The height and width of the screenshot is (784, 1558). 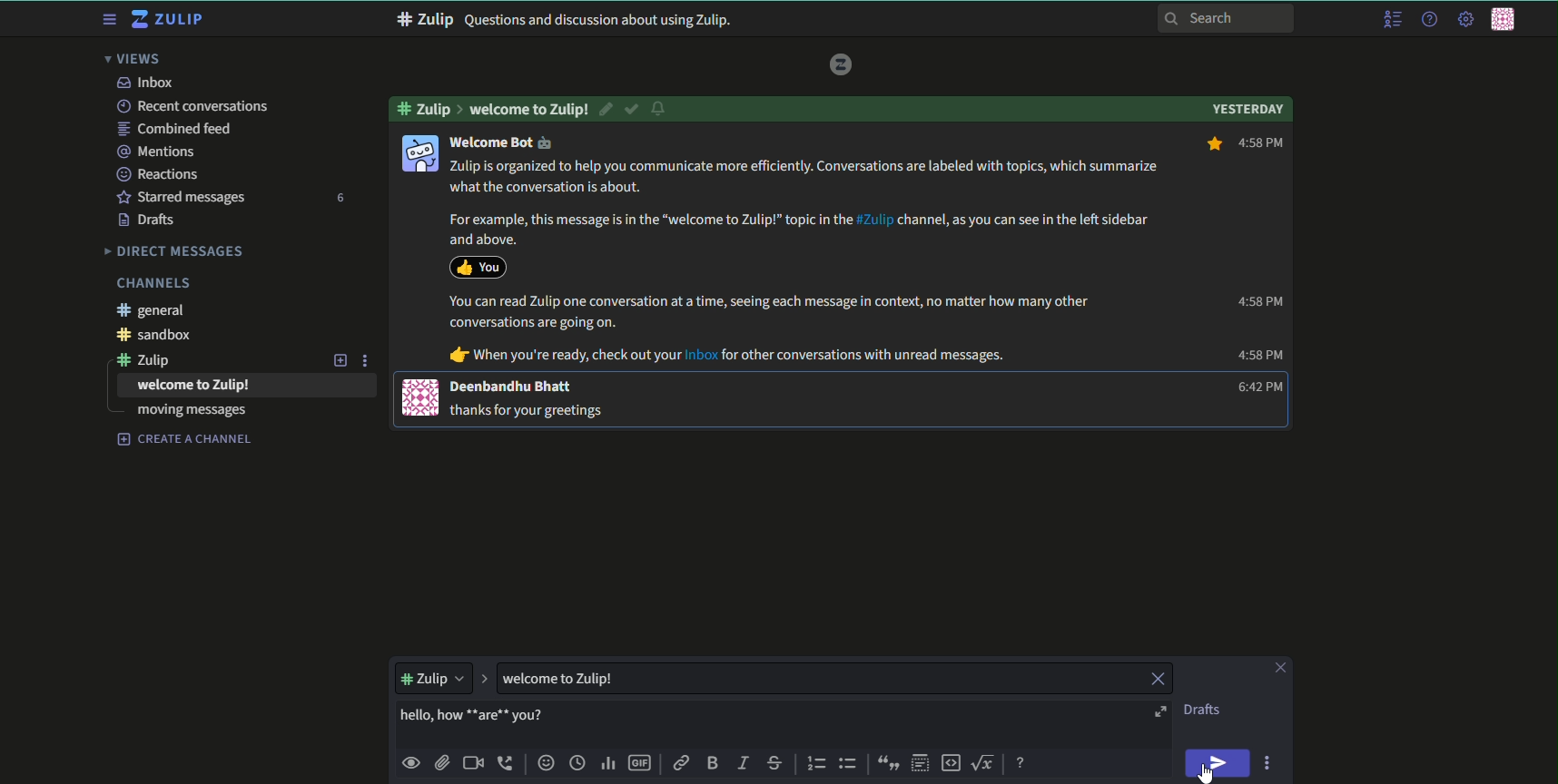 I want to click on recent conversations, so click(x=192, y=106).